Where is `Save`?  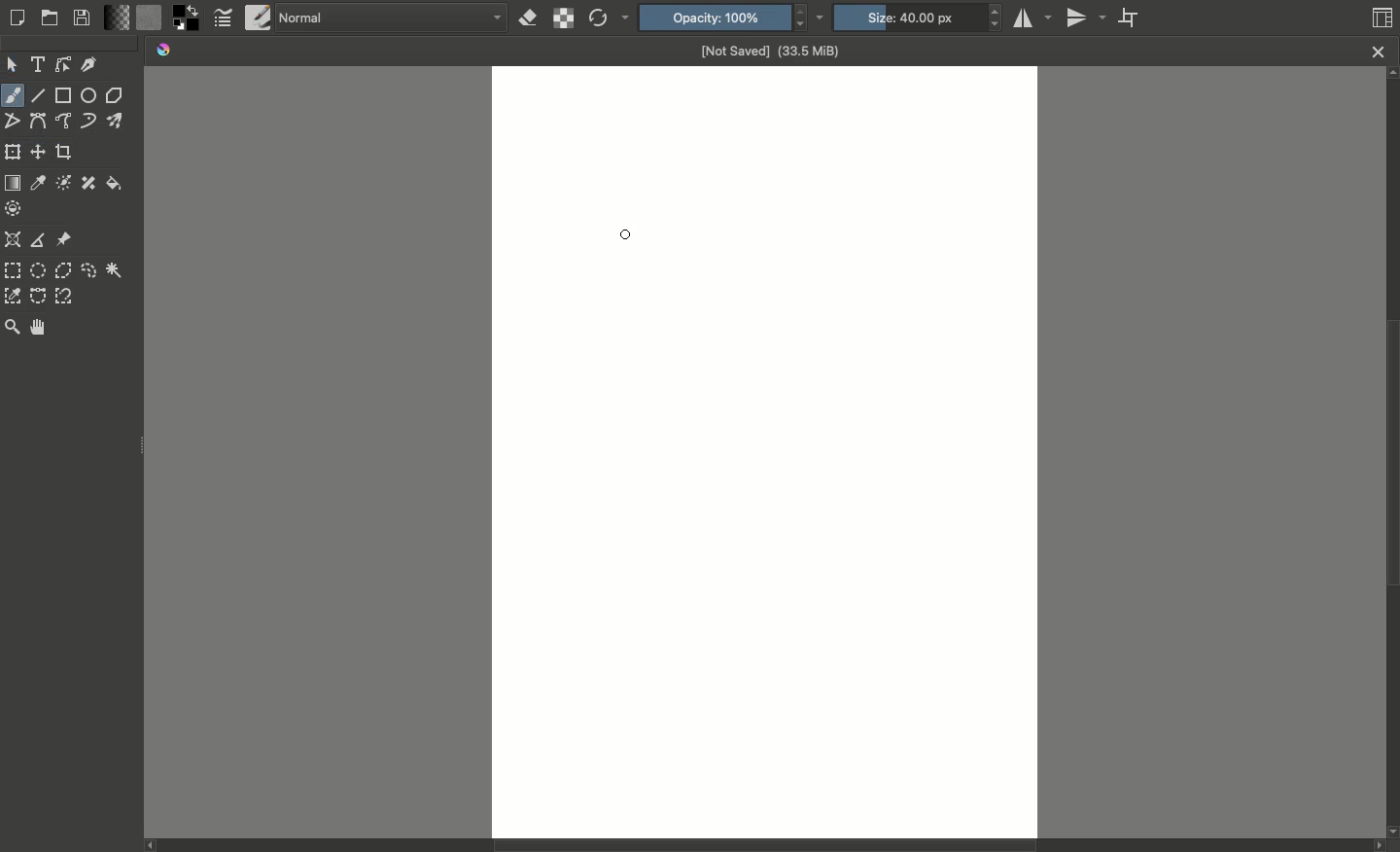 Save is located at coordinates (86, 18).